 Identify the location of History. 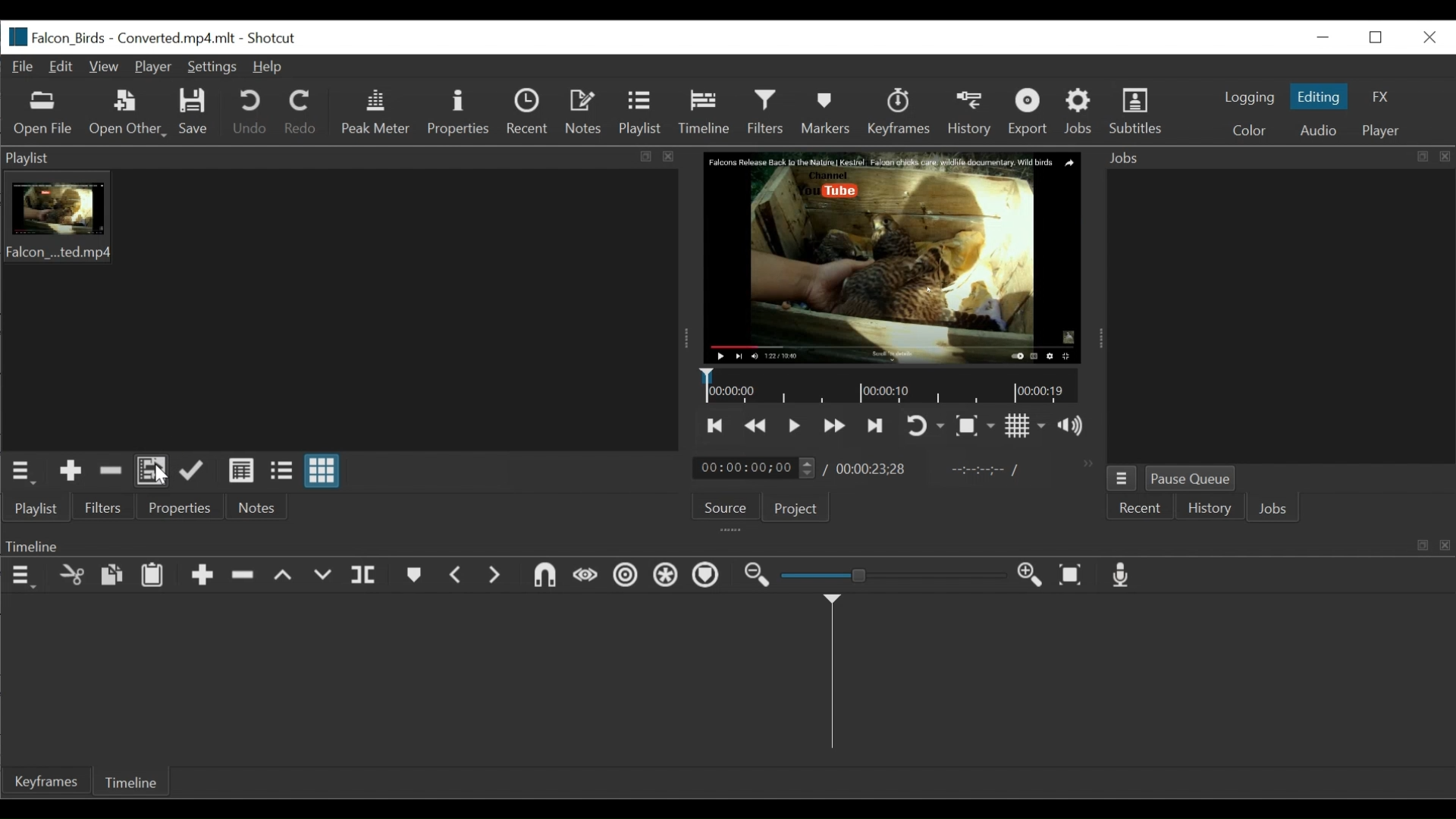
(1212, 510).